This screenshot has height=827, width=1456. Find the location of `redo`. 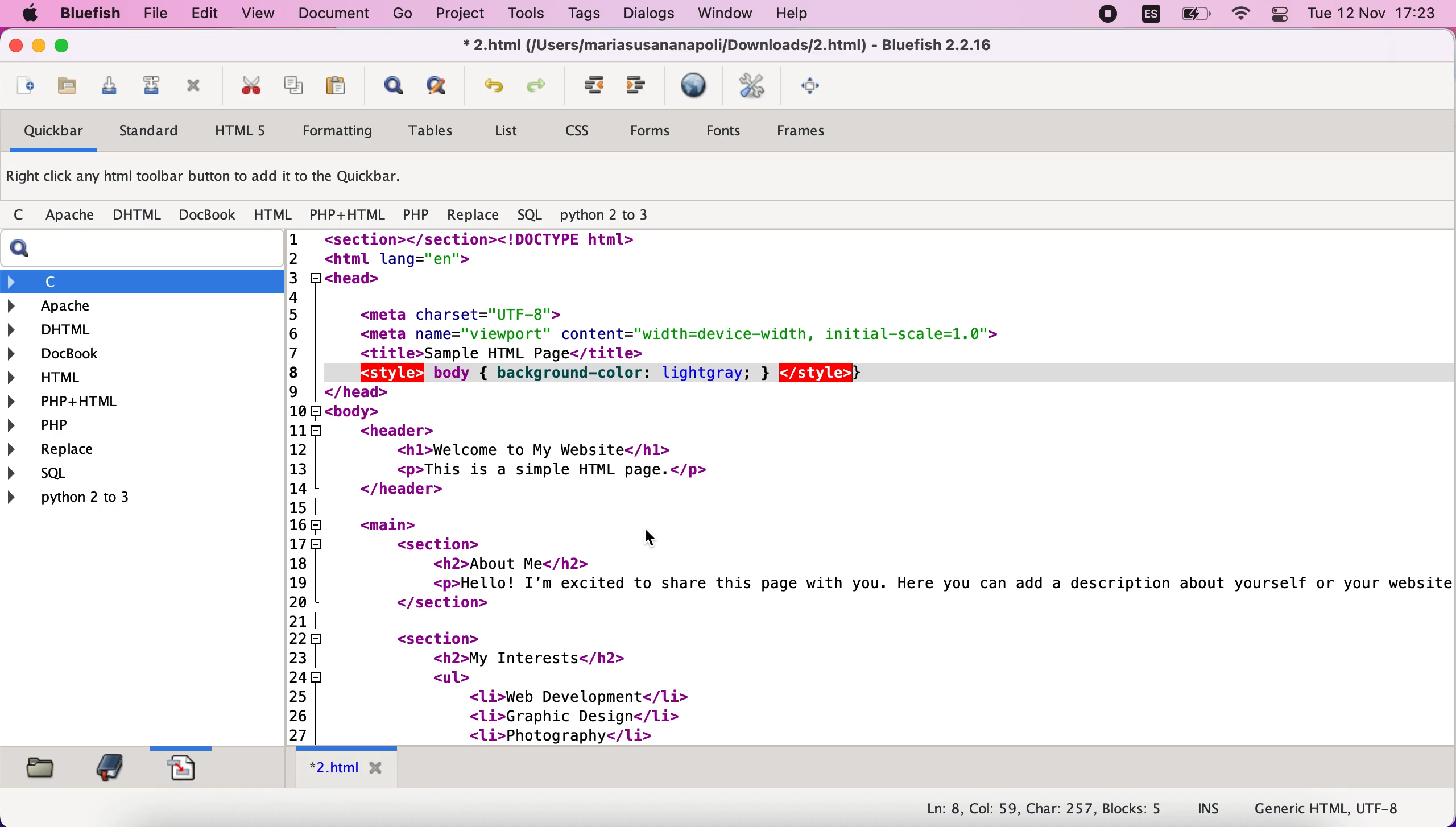

redo is located at coordinates (537, 86).